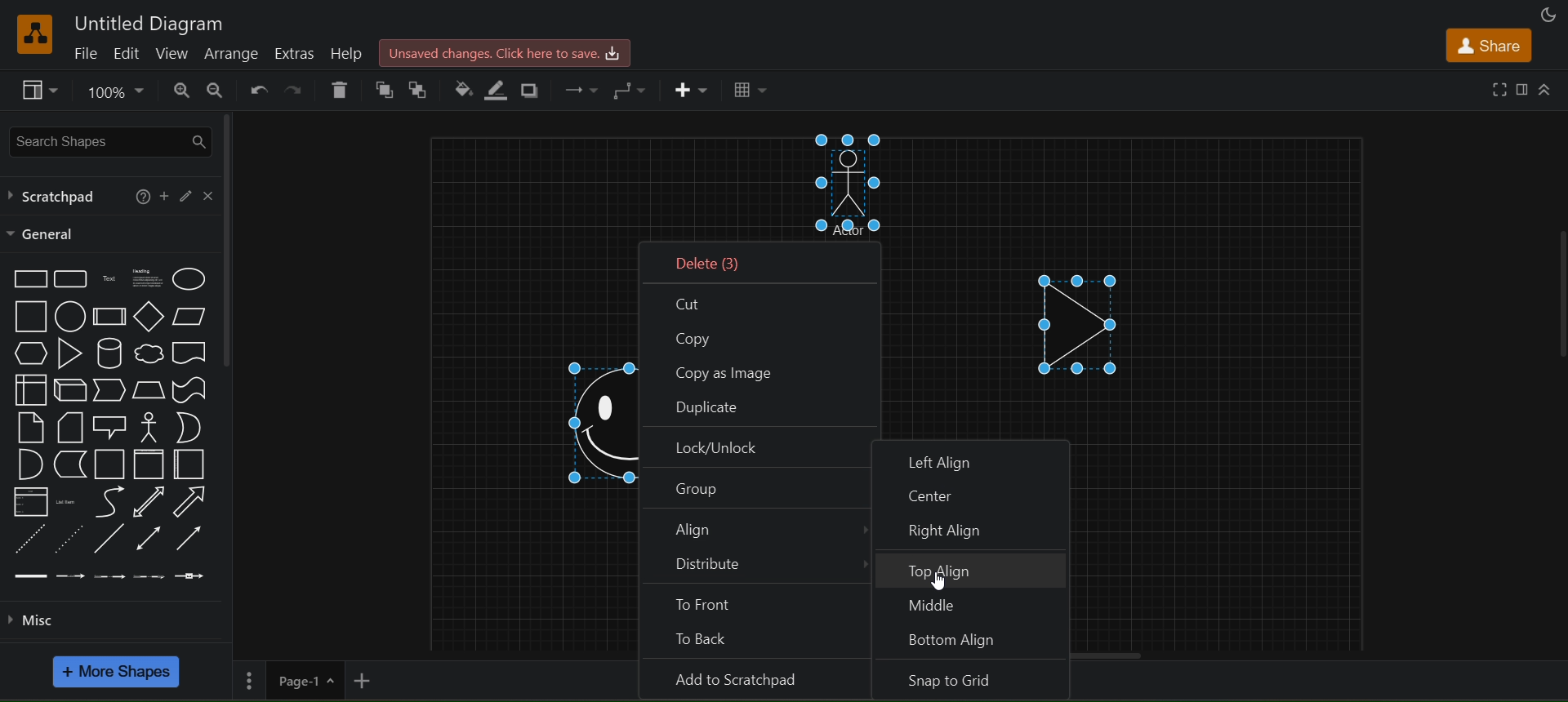  Describe the element at coordinates (145, 317) in the screenshot. I see `diamond` at that location.